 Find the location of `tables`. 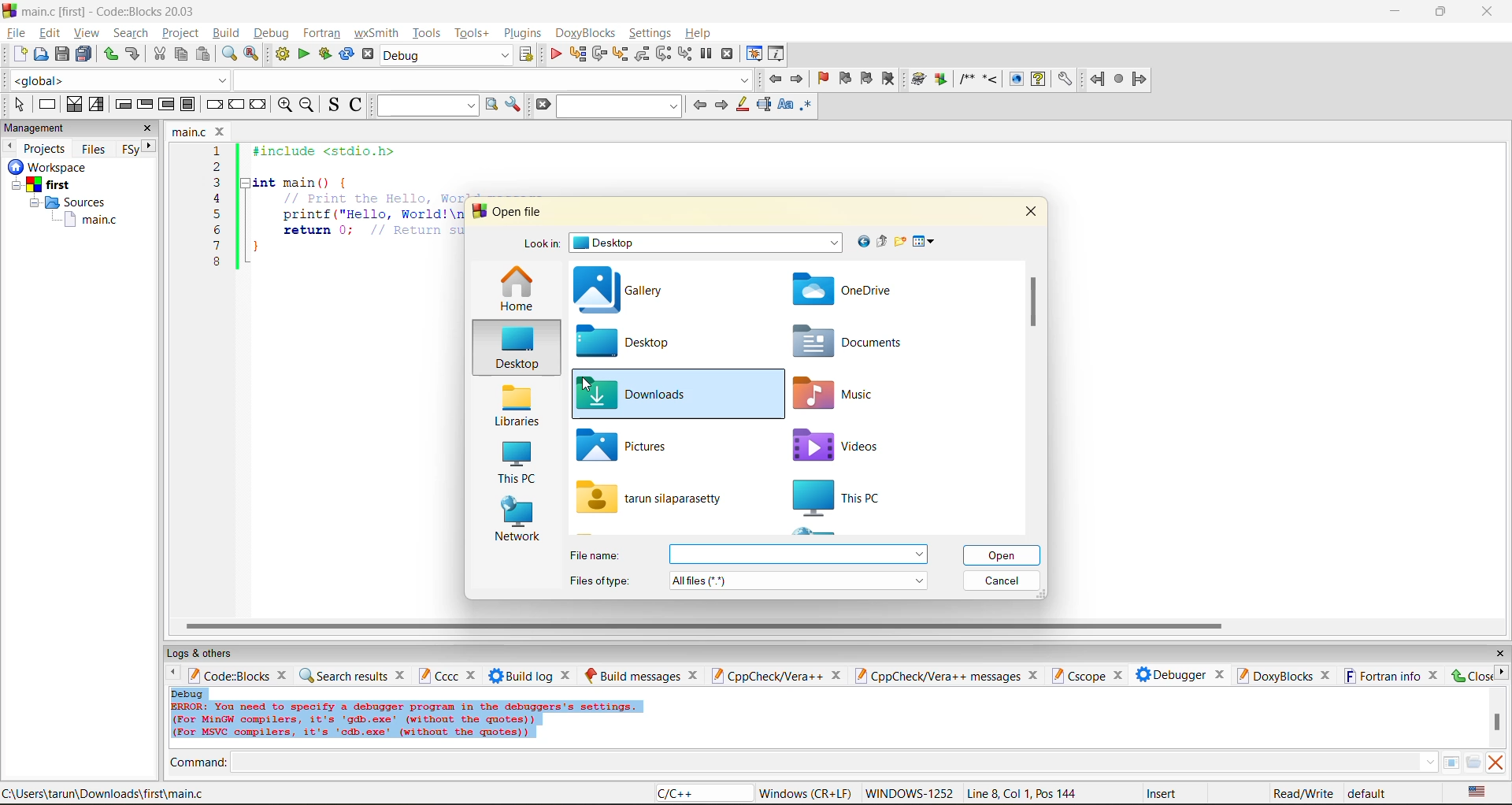

tables is located at coordinates (1451, 762).